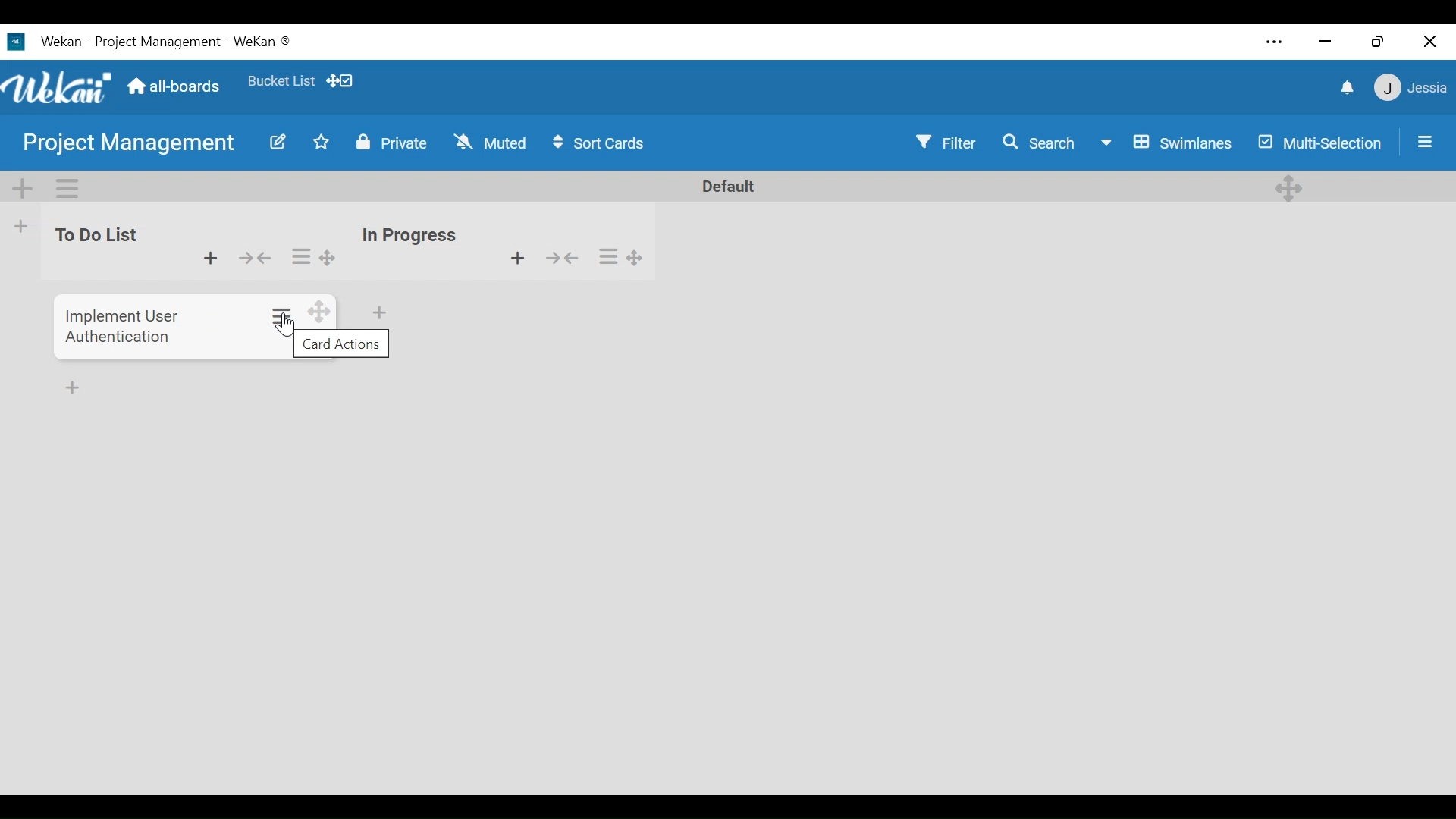 The height and width of the screenshot is (819, 1456). Describe the element at coordinates (124, 324) in the screenshot. I see `Implement User Authentication` at that location.